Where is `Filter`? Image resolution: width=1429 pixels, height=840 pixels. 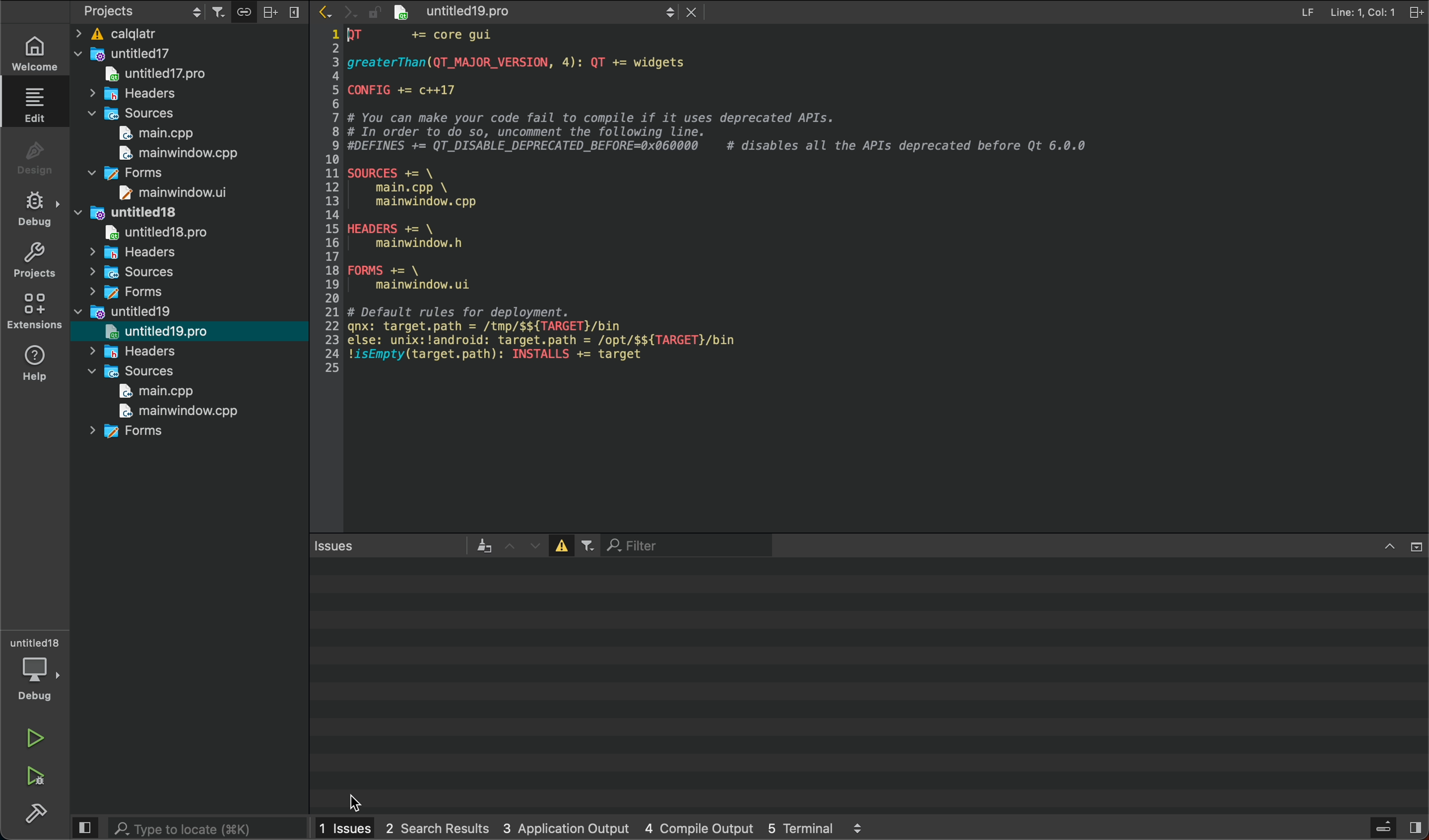
Filter is located at coordinates (640, 545).